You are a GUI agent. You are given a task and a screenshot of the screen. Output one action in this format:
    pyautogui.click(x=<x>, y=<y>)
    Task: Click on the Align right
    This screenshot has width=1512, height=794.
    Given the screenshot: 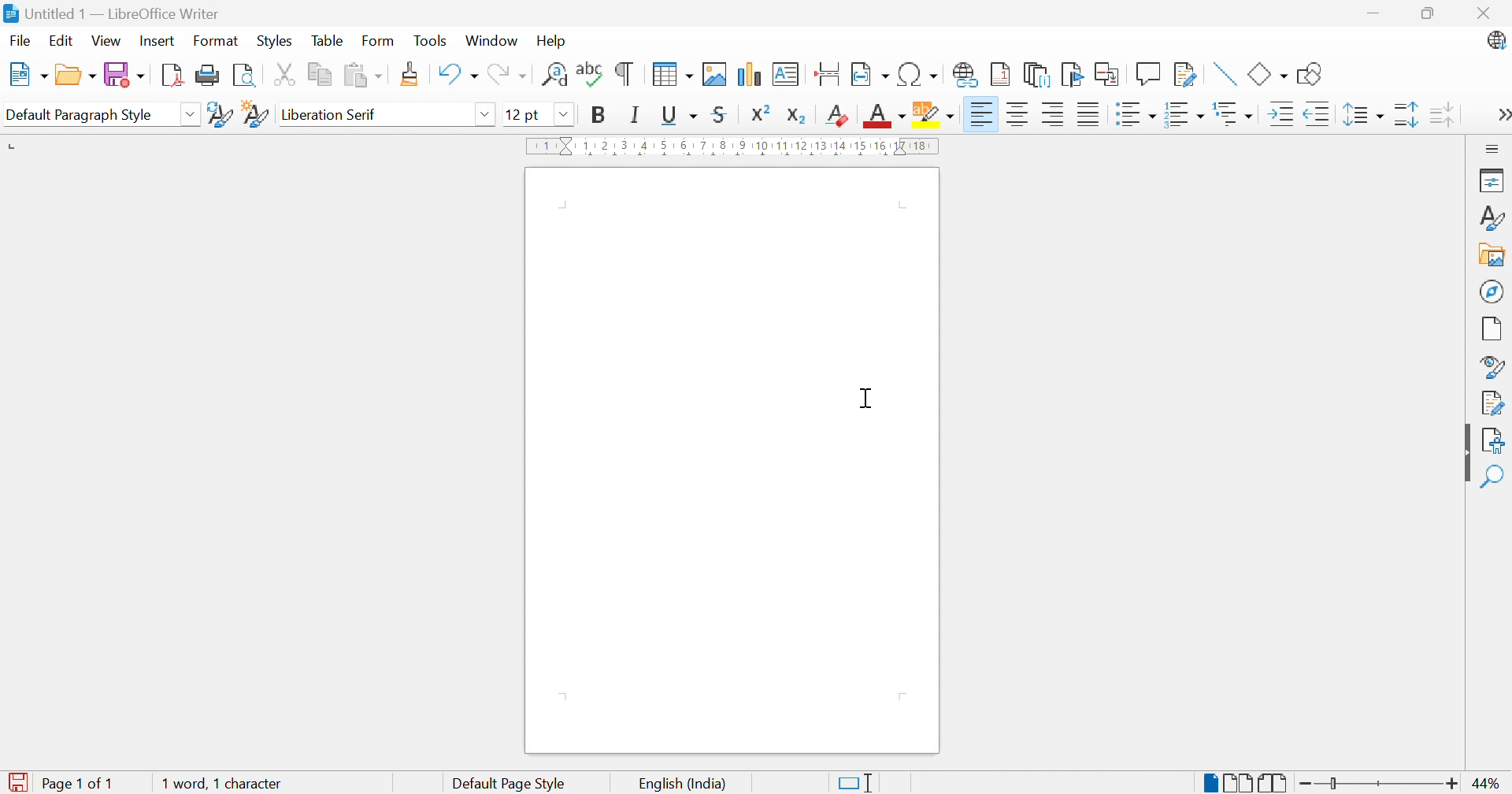 What is the action you would take?
    pyautogui.click(x=985, y=114)
    